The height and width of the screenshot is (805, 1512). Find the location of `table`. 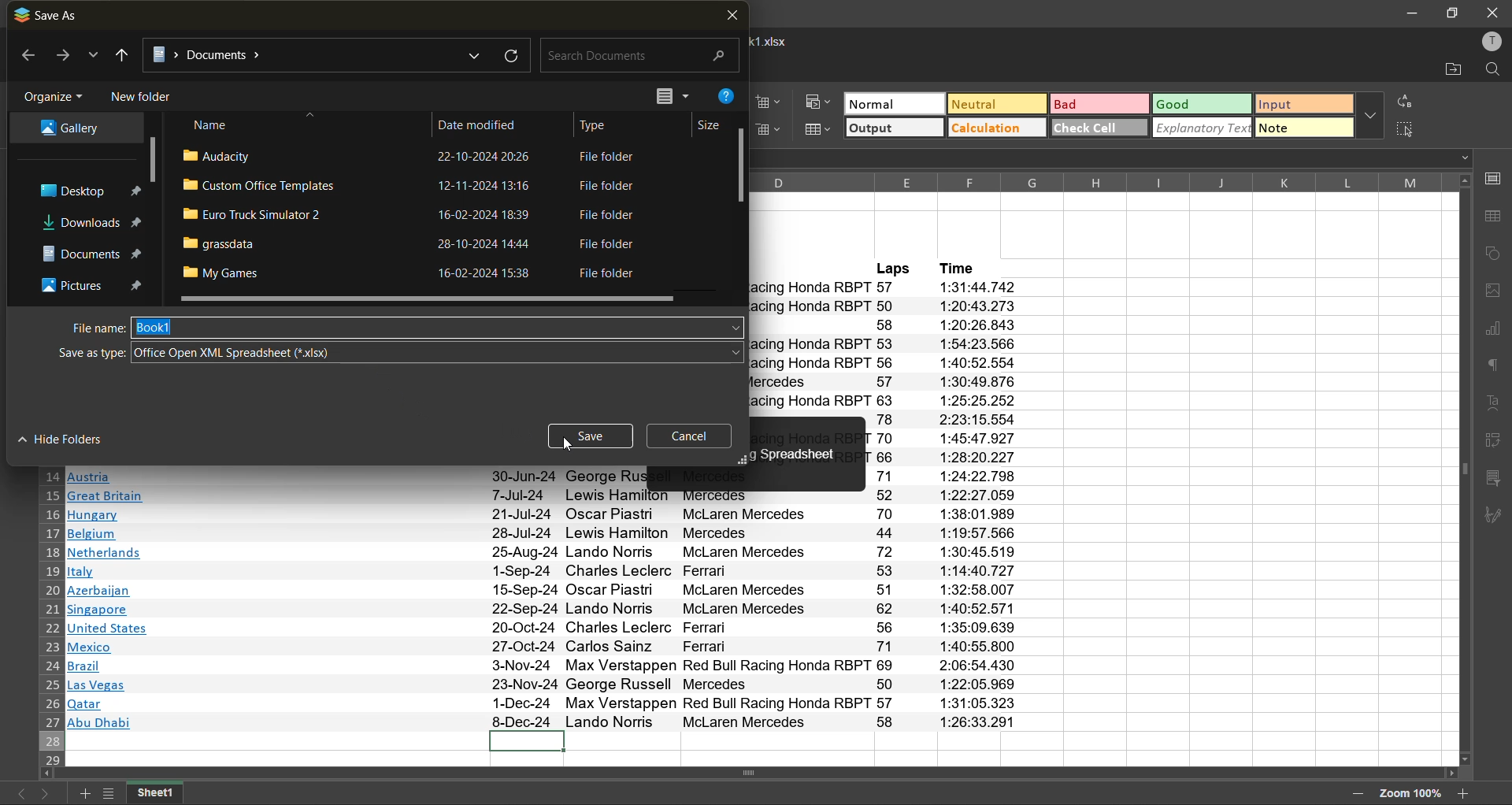

table is located at coordinates (1497, 221).